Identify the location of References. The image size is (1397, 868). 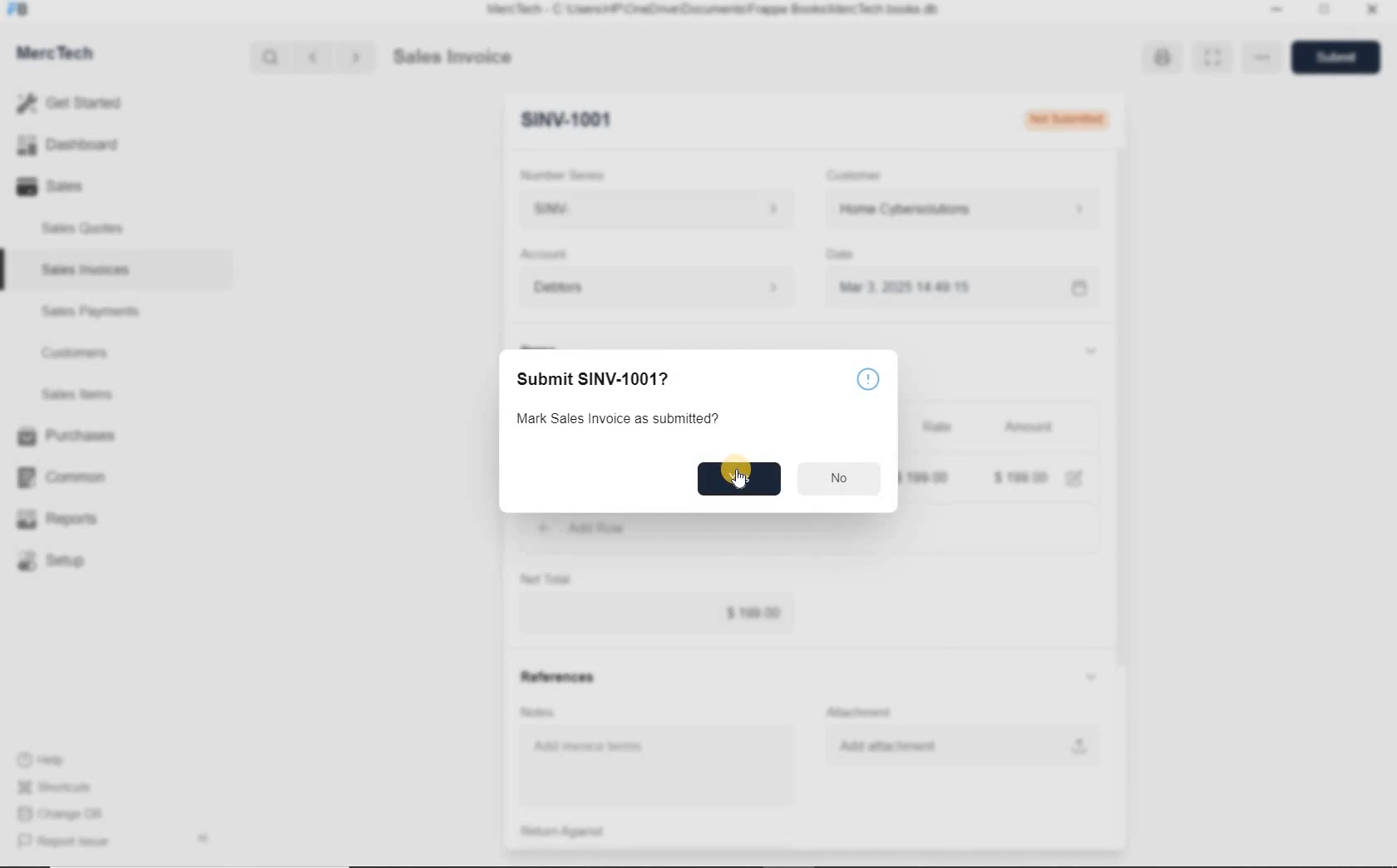
(556, 677).